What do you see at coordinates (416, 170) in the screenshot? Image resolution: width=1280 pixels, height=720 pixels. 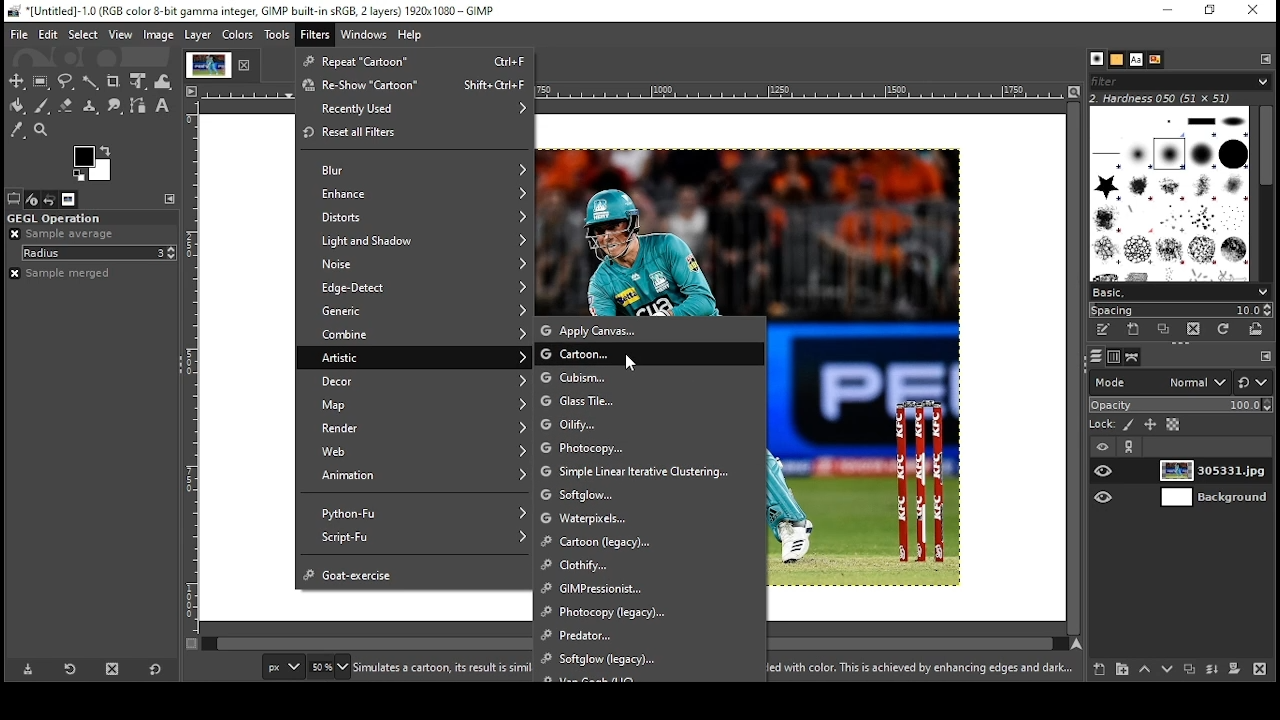 I see `blur` at bounding box center [416, 170].